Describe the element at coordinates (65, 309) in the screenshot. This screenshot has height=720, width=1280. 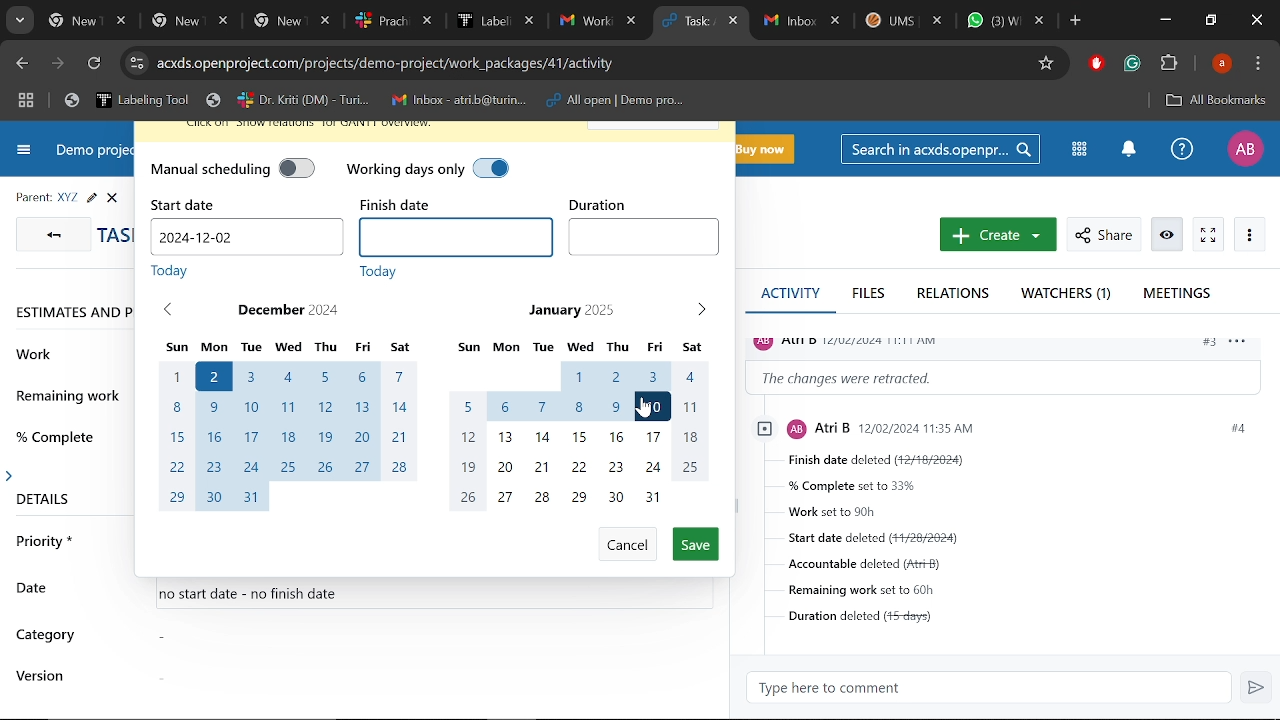
I see `Estimates and` at that location.